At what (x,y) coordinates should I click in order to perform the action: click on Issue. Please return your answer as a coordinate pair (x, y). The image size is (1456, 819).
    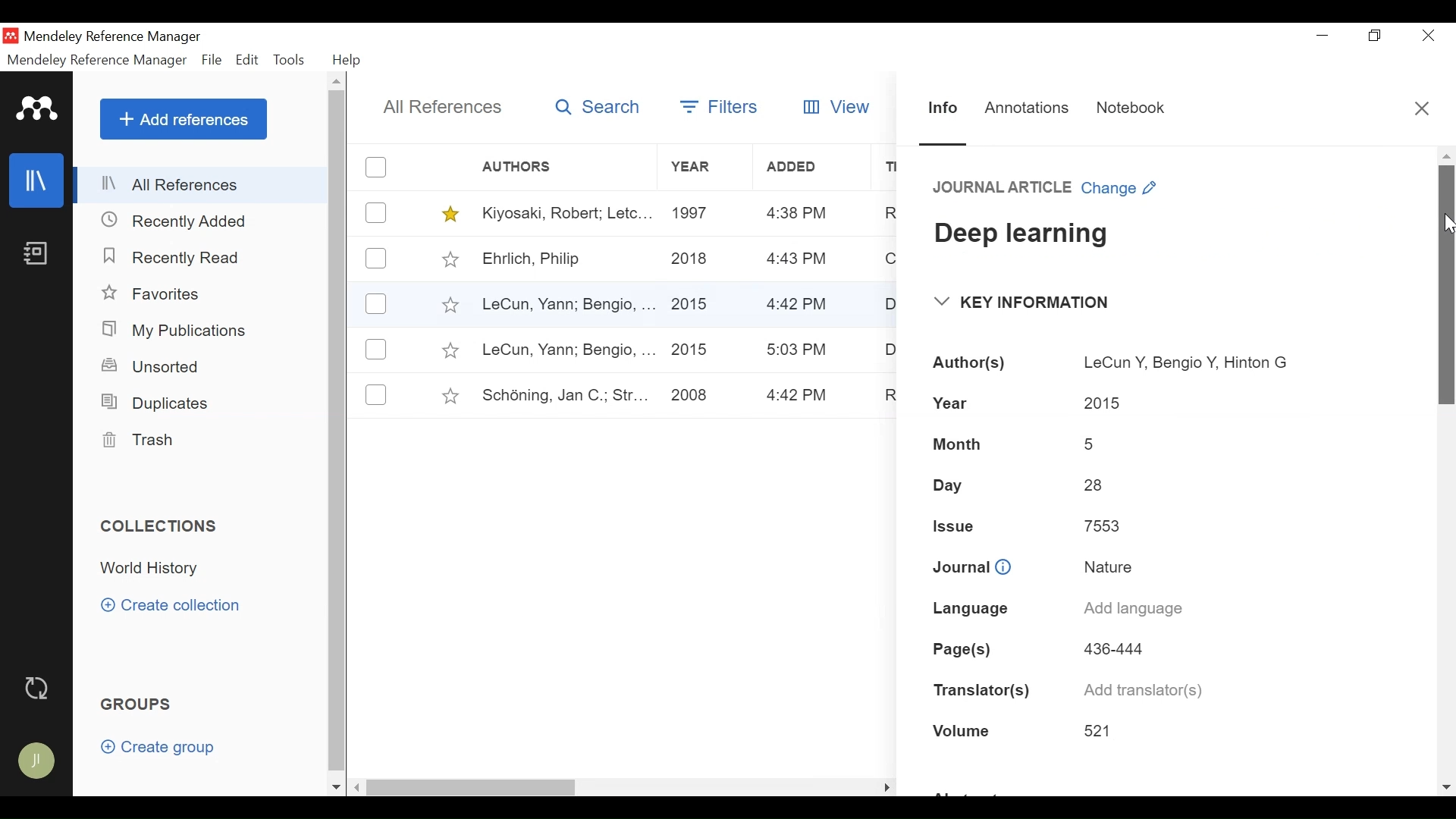
    Looking at the image, I should click on (959, 524).